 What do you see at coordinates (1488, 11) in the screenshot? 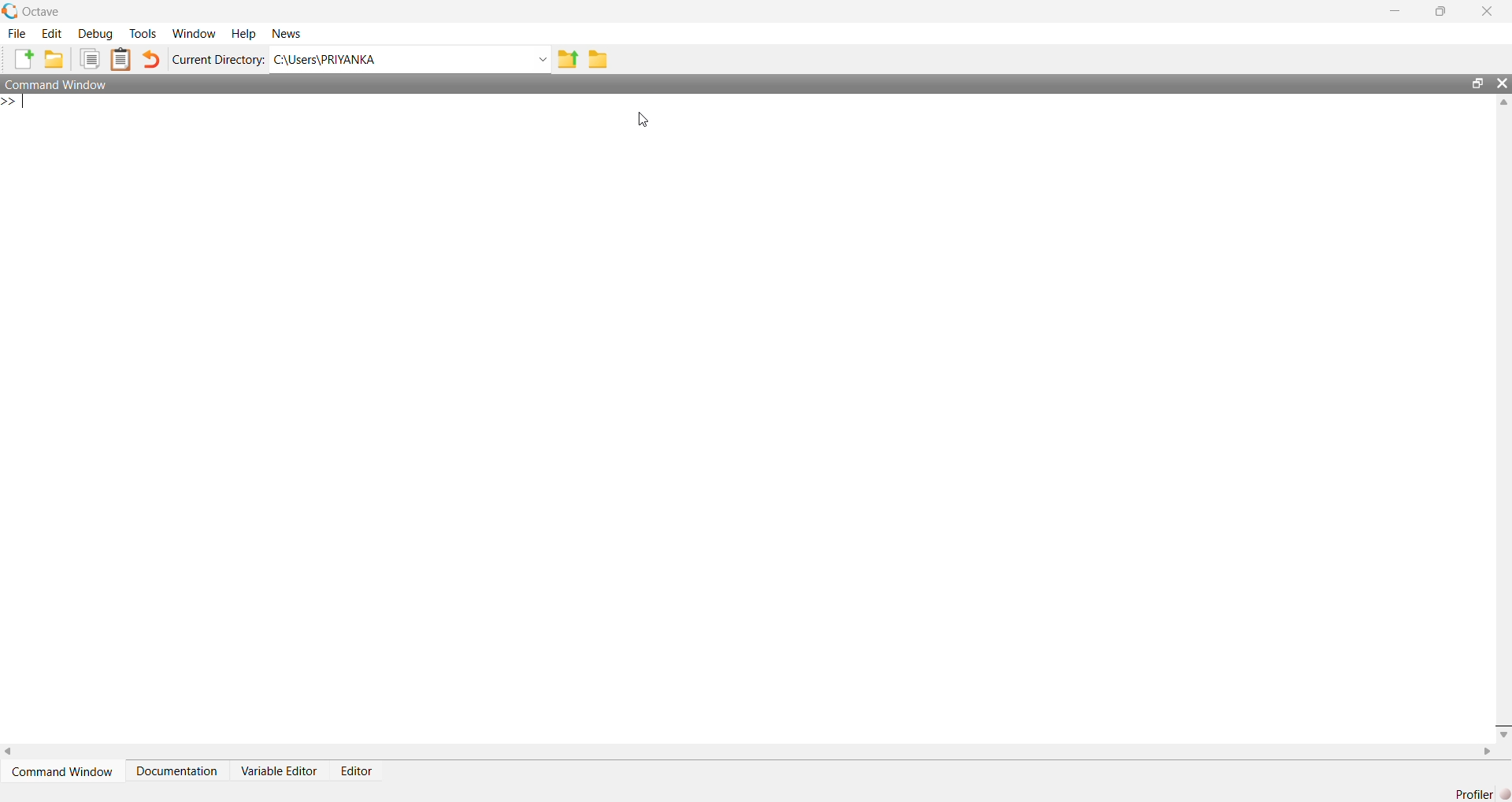
I see `close` at bounding box center [1488, 11].